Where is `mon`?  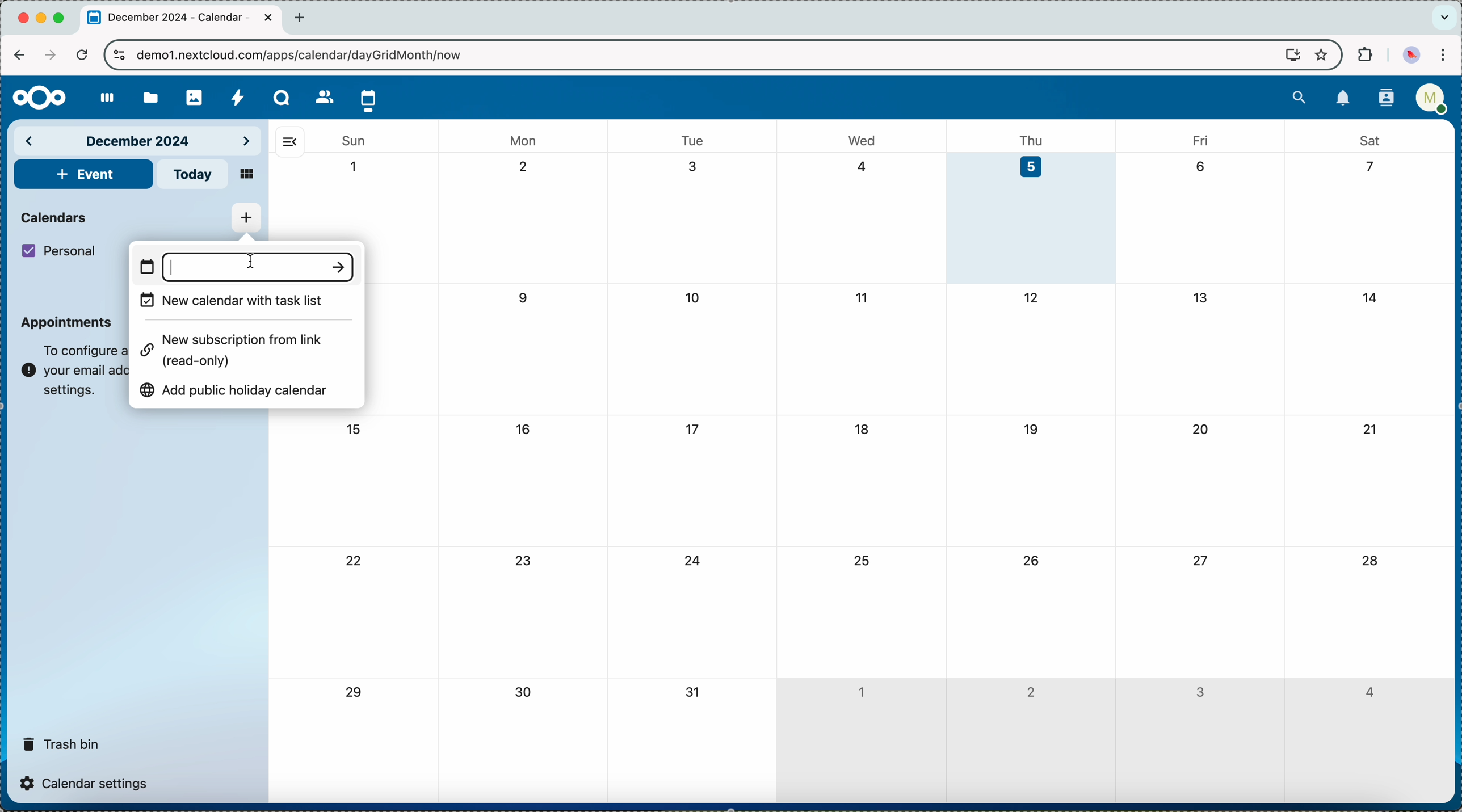 mon is located at coordinates (524, 137).